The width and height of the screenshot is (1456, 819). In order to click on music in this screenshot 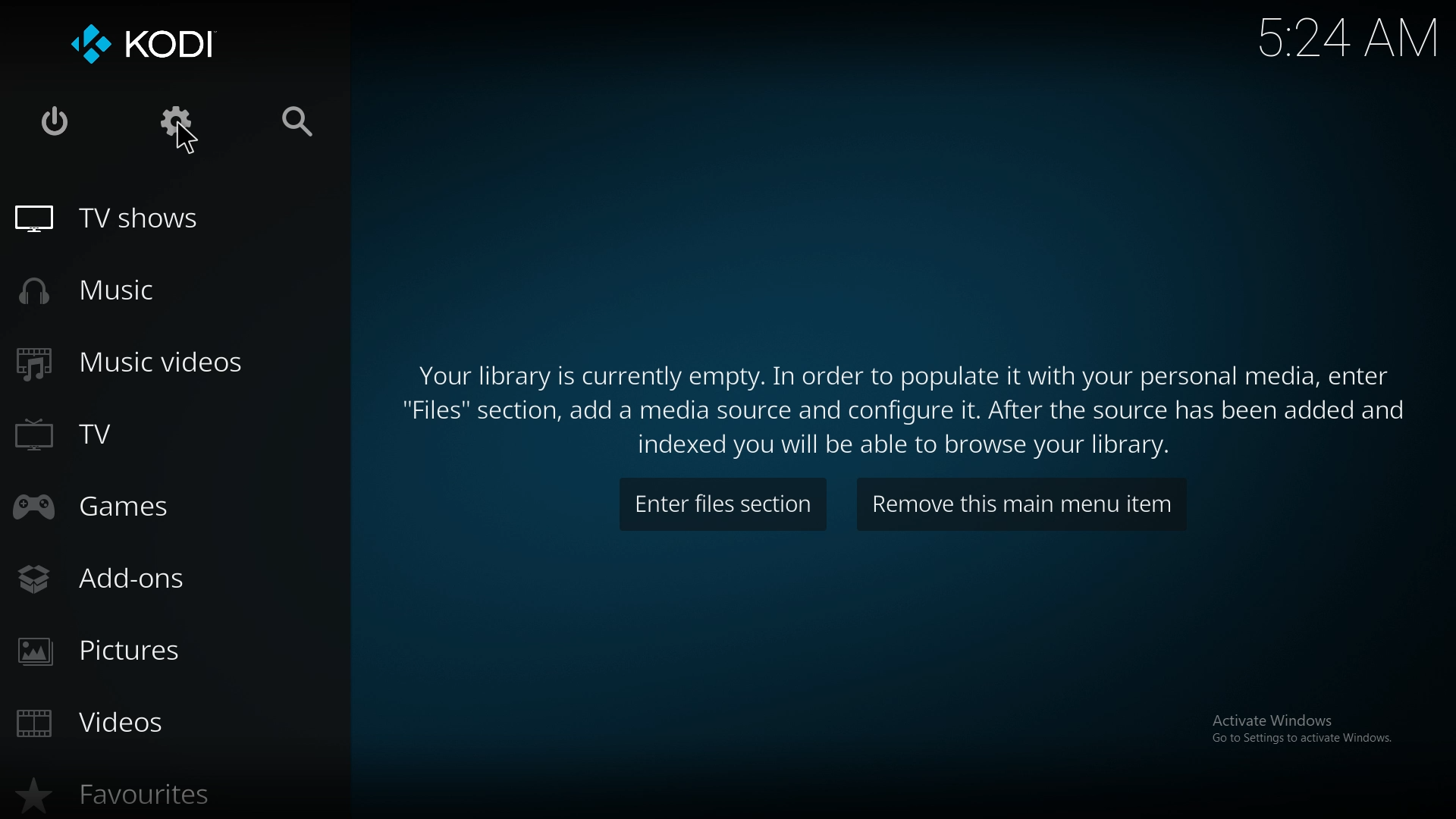, I will do `click(108, 291)`.